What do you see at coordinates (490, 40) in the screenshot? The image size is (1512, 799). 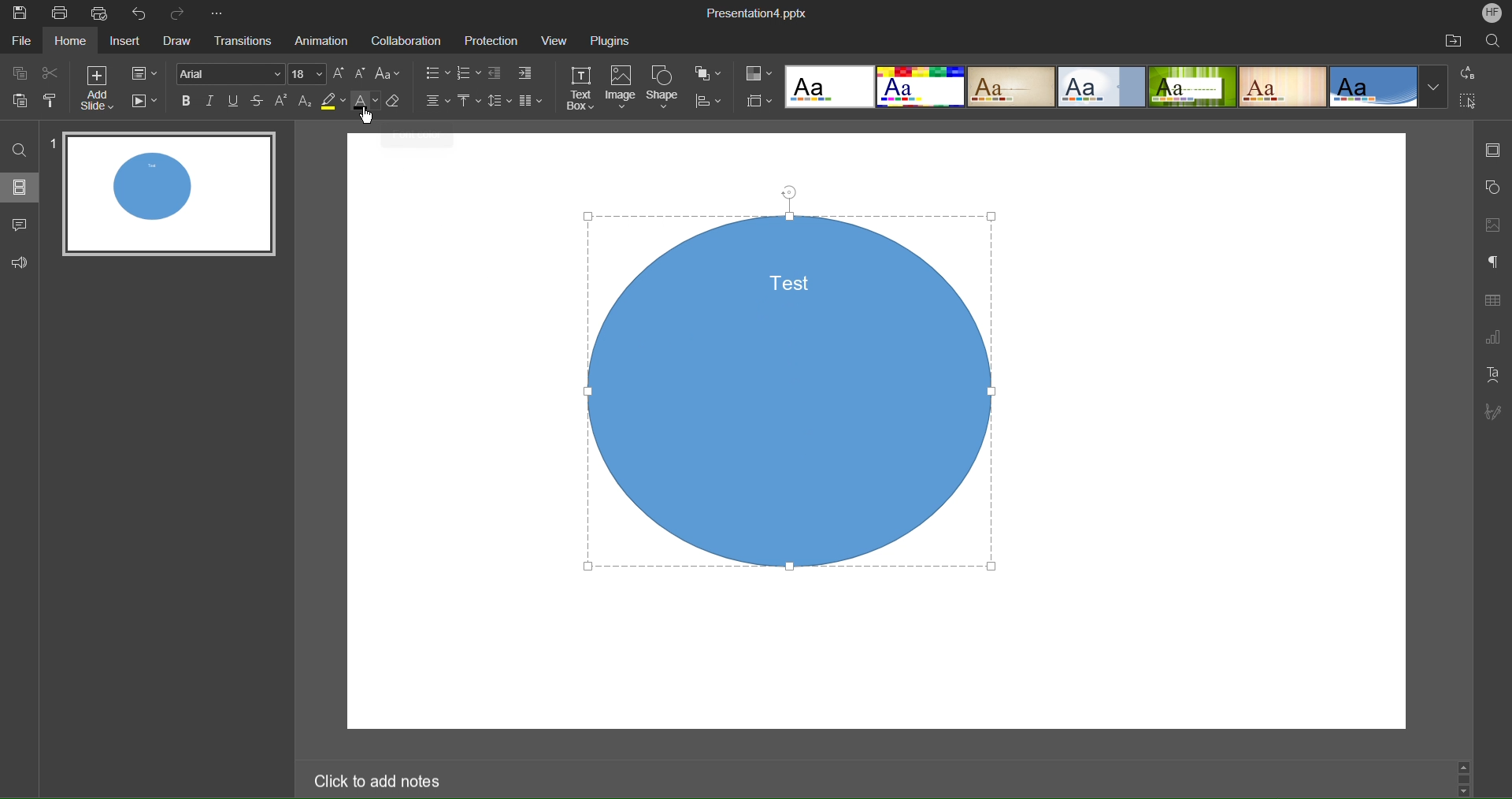 I see `Protection` at bounding box center [490, 40].